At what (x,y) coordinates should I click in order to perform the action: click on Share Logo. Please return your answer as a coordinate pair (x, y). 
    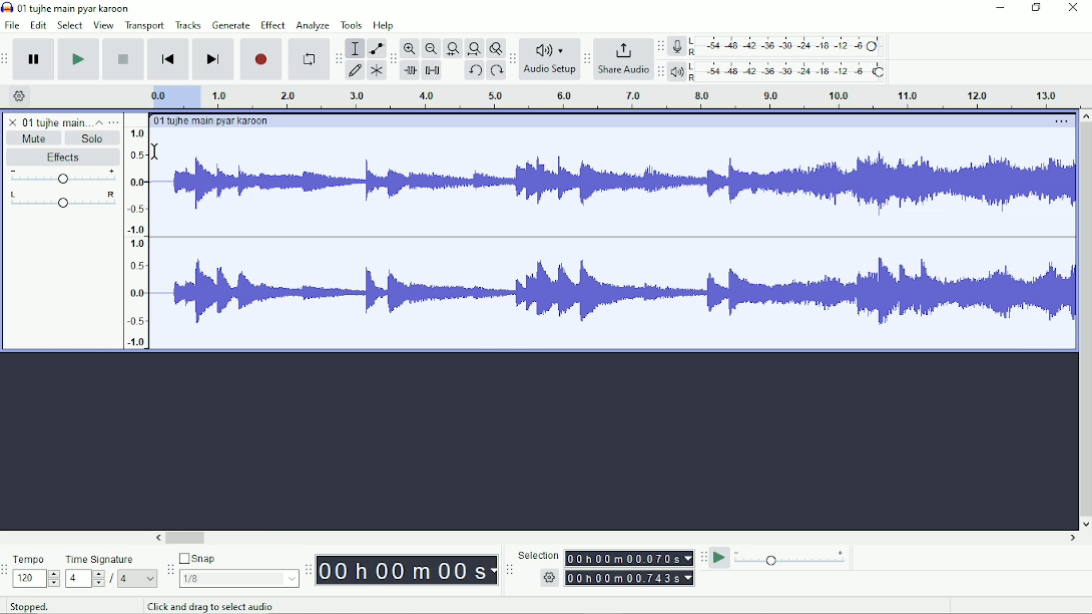
    Looking at the image, I should click on (621, 49).